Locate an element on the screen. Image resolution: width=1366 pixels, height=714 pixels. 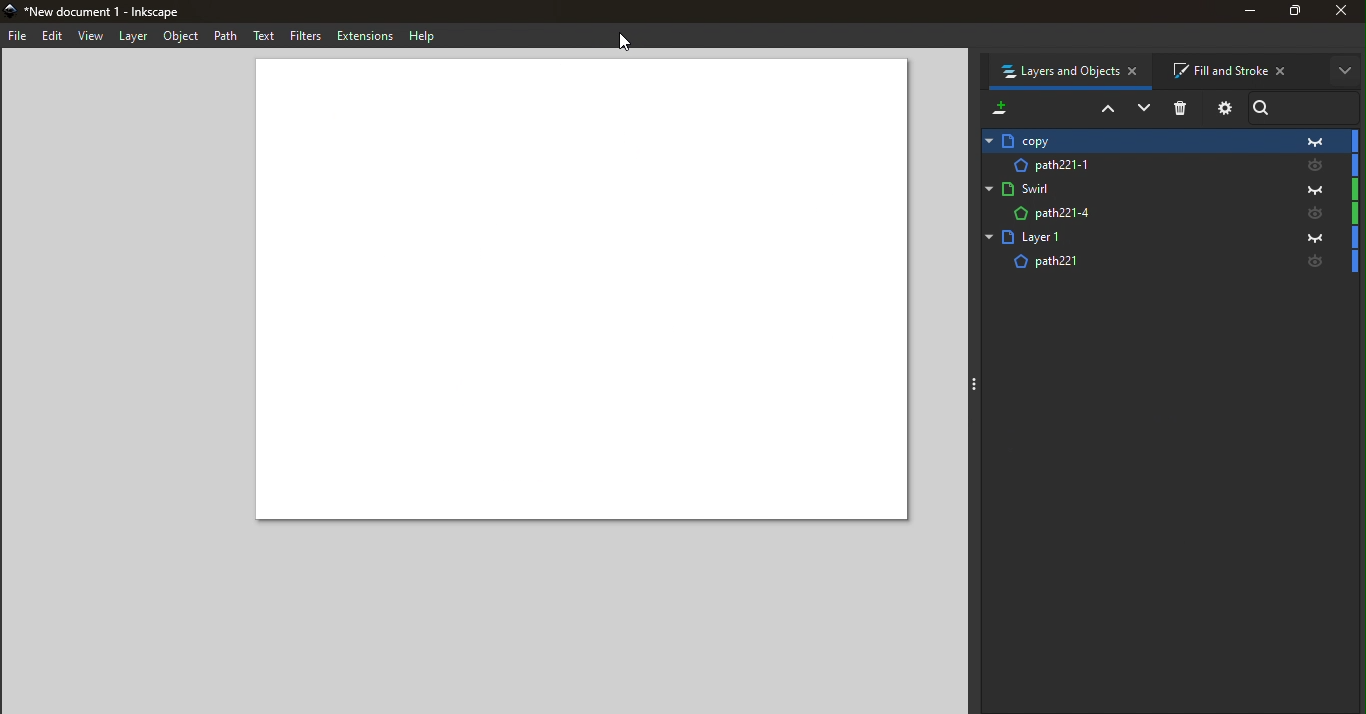
Layer is located at coordinates (1136, 214).